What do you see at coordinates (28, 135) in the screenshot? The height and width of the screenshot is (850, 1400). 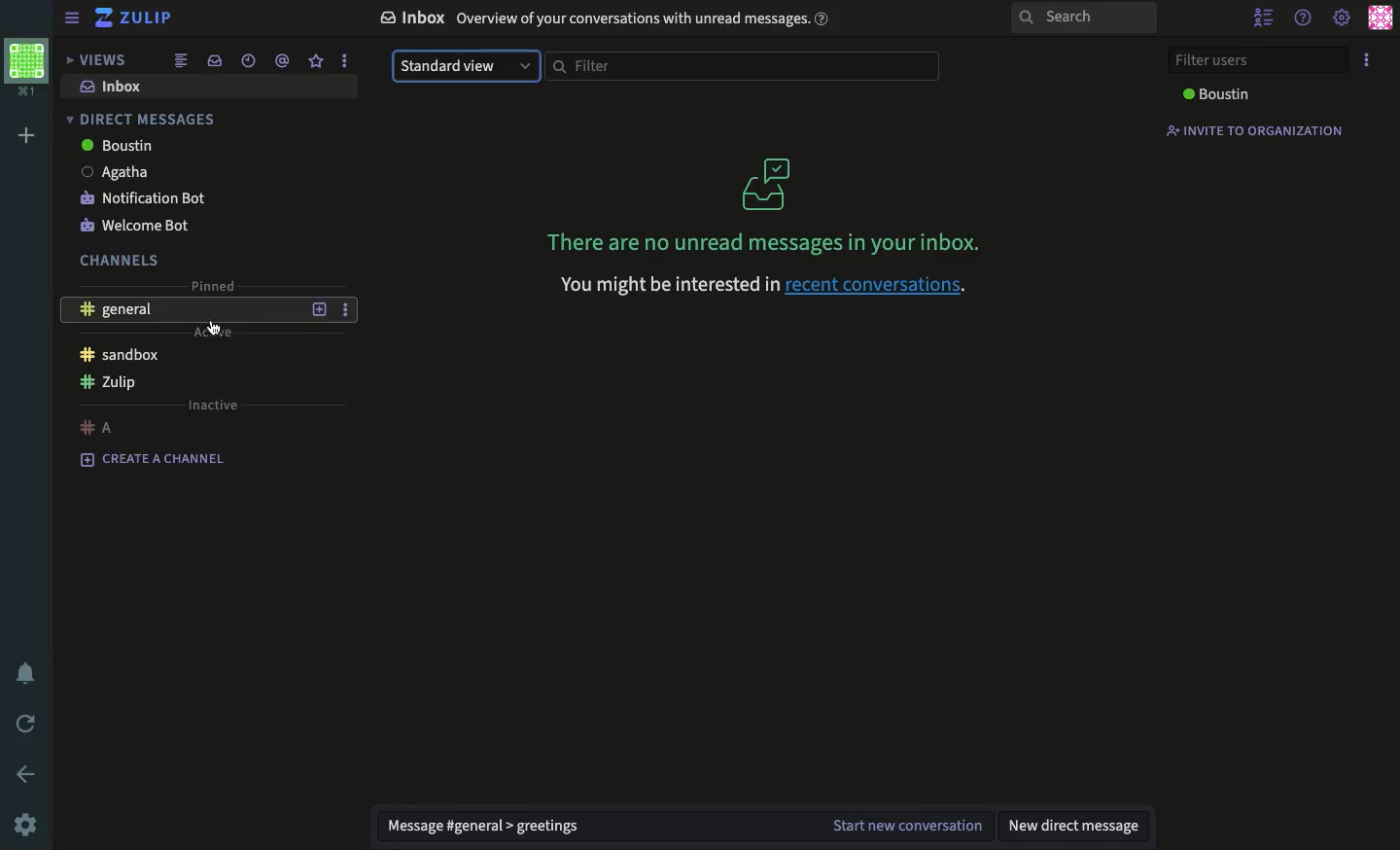 I see `add workspace ` at bounding box center [28, 135].